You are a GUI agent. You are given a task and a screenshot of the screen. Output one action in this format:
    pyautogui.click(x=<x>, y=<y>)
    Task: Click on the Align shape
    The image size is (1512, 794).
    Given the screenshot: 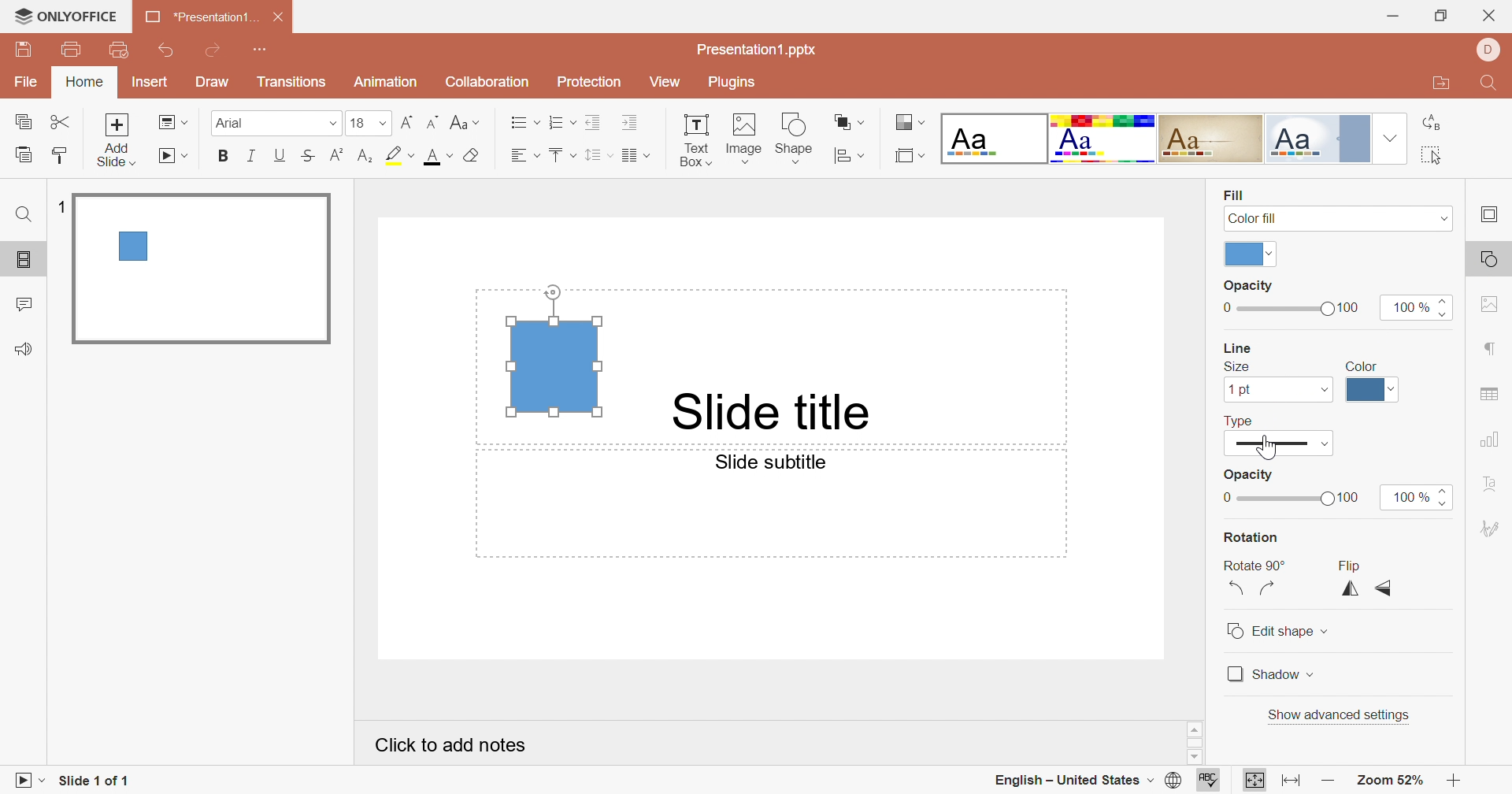 What is the action you would take?
    pyautogui.click(x=850, y=157)
    